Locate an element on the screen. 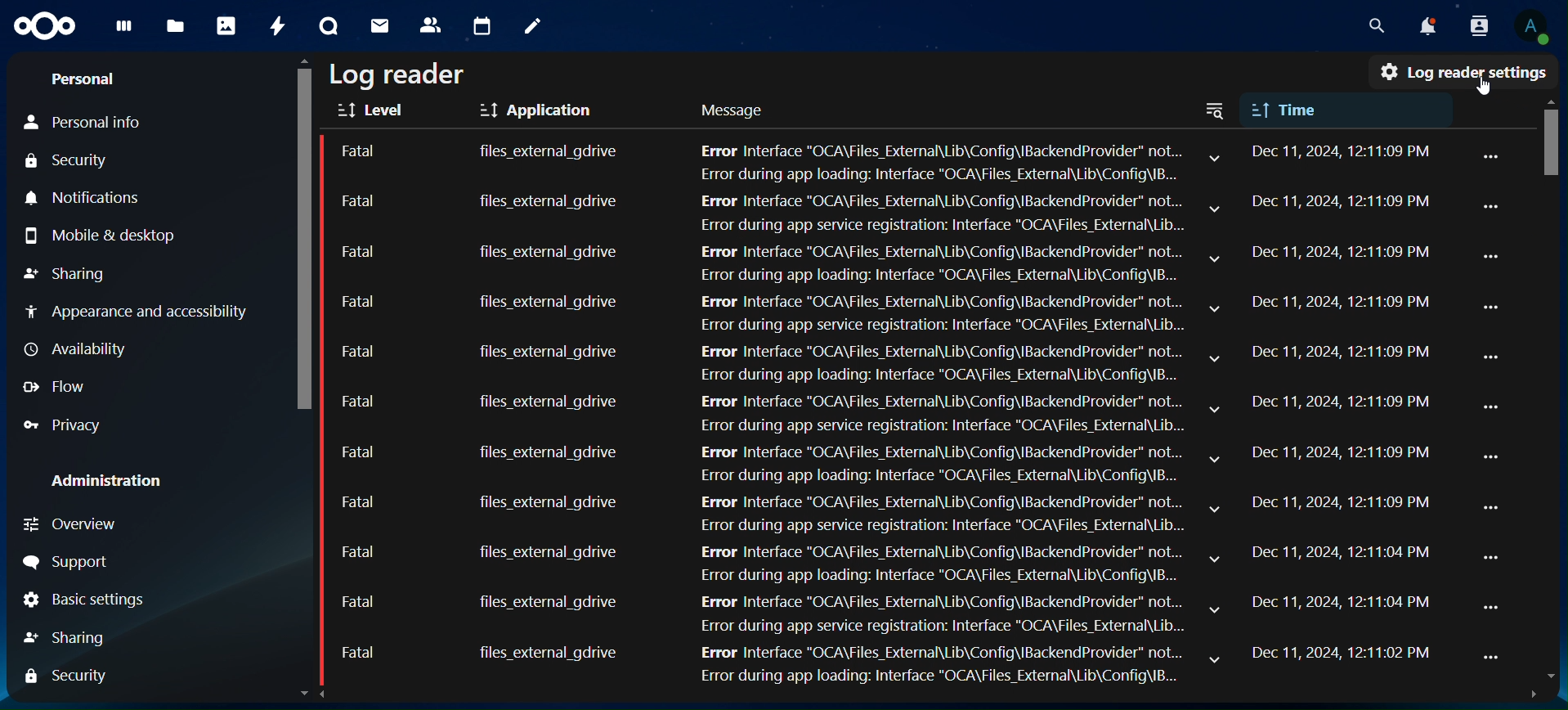 This screenshot has height=710, width=1568. filter is located at coordinates (1220, 110).